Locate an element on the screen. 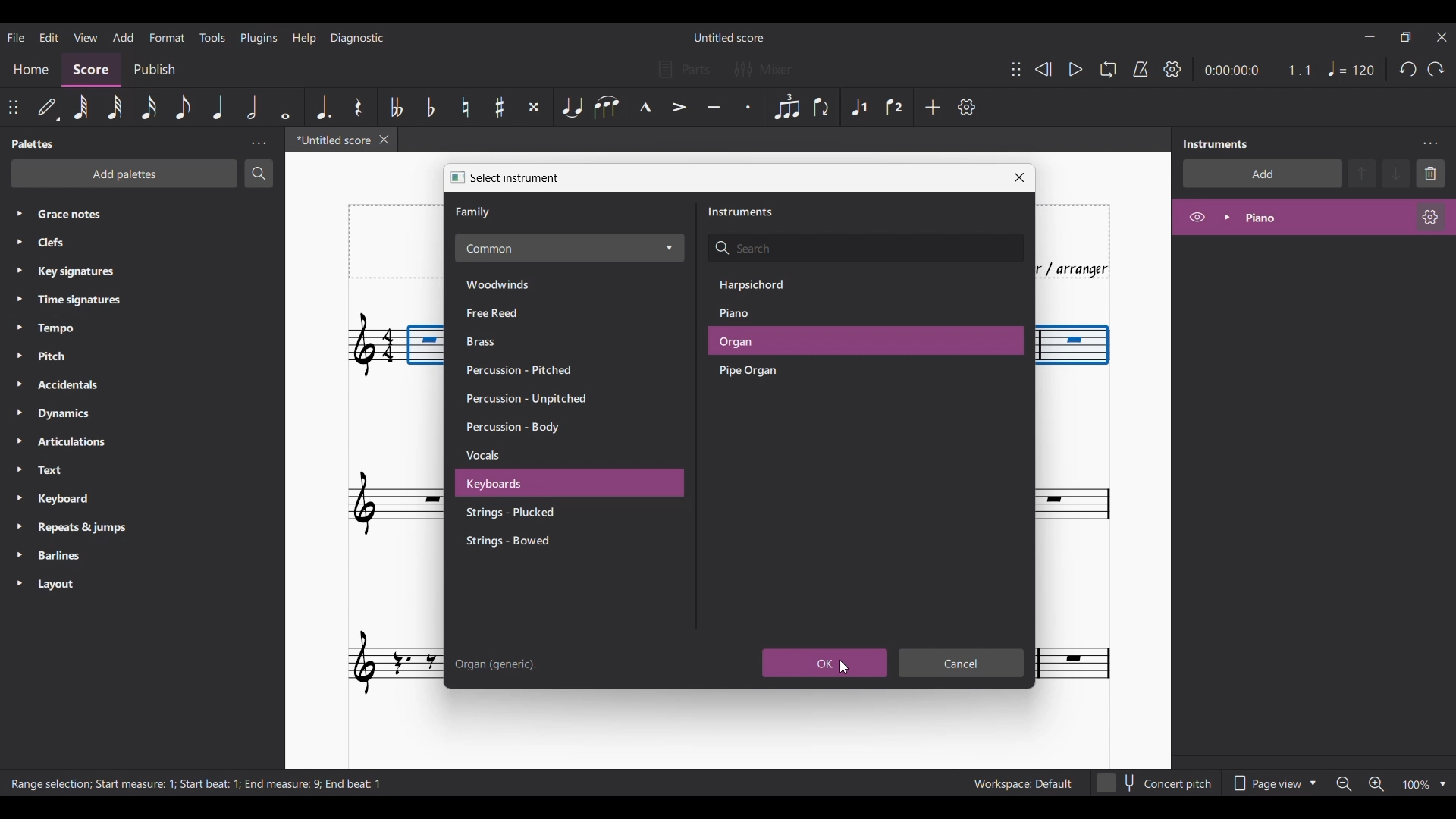  file logo is located at coordinates (453, 177).